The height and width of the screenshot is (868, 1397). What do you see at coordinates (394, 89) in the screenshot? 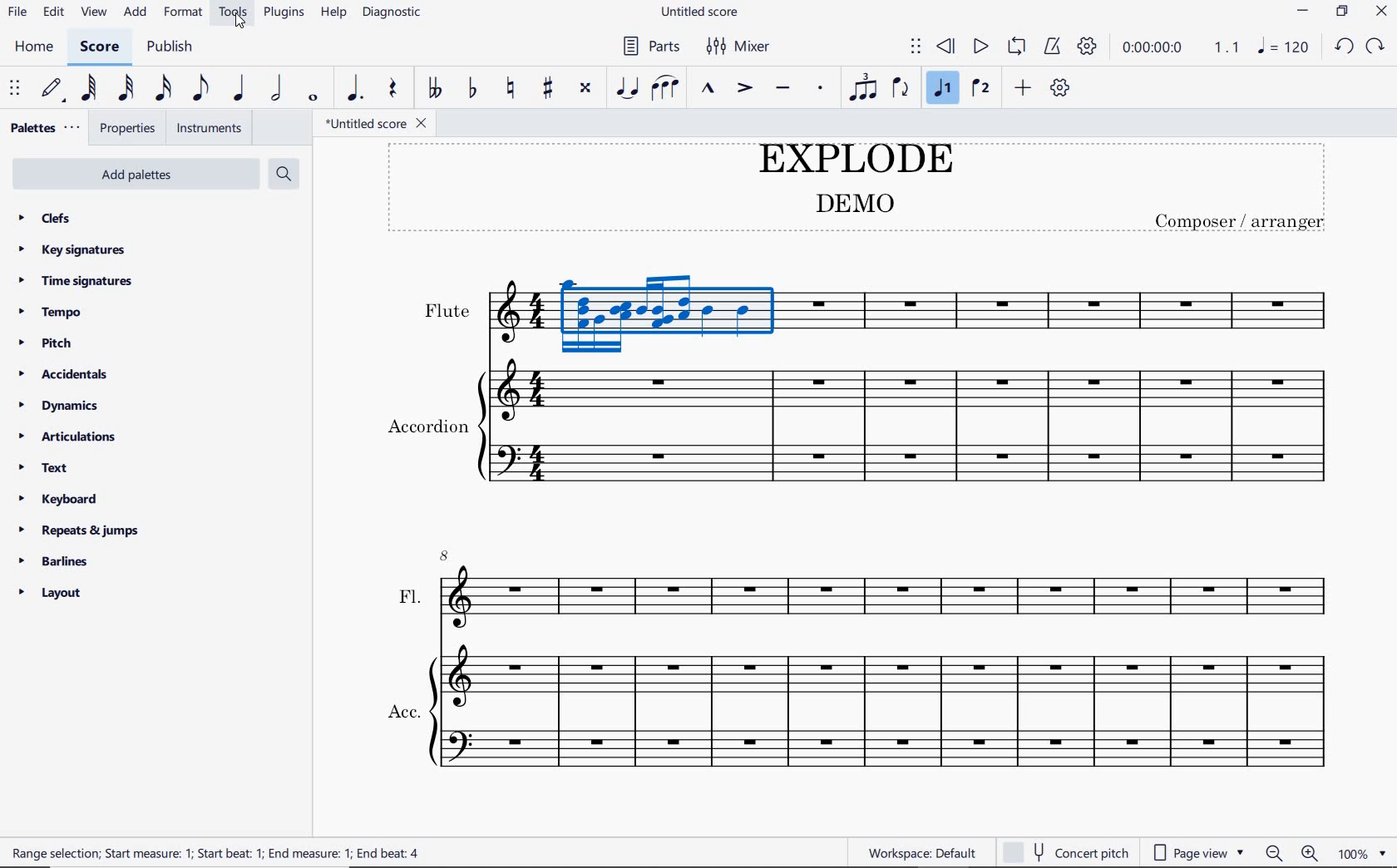
I see `rest` at bounding box center [394, 89].